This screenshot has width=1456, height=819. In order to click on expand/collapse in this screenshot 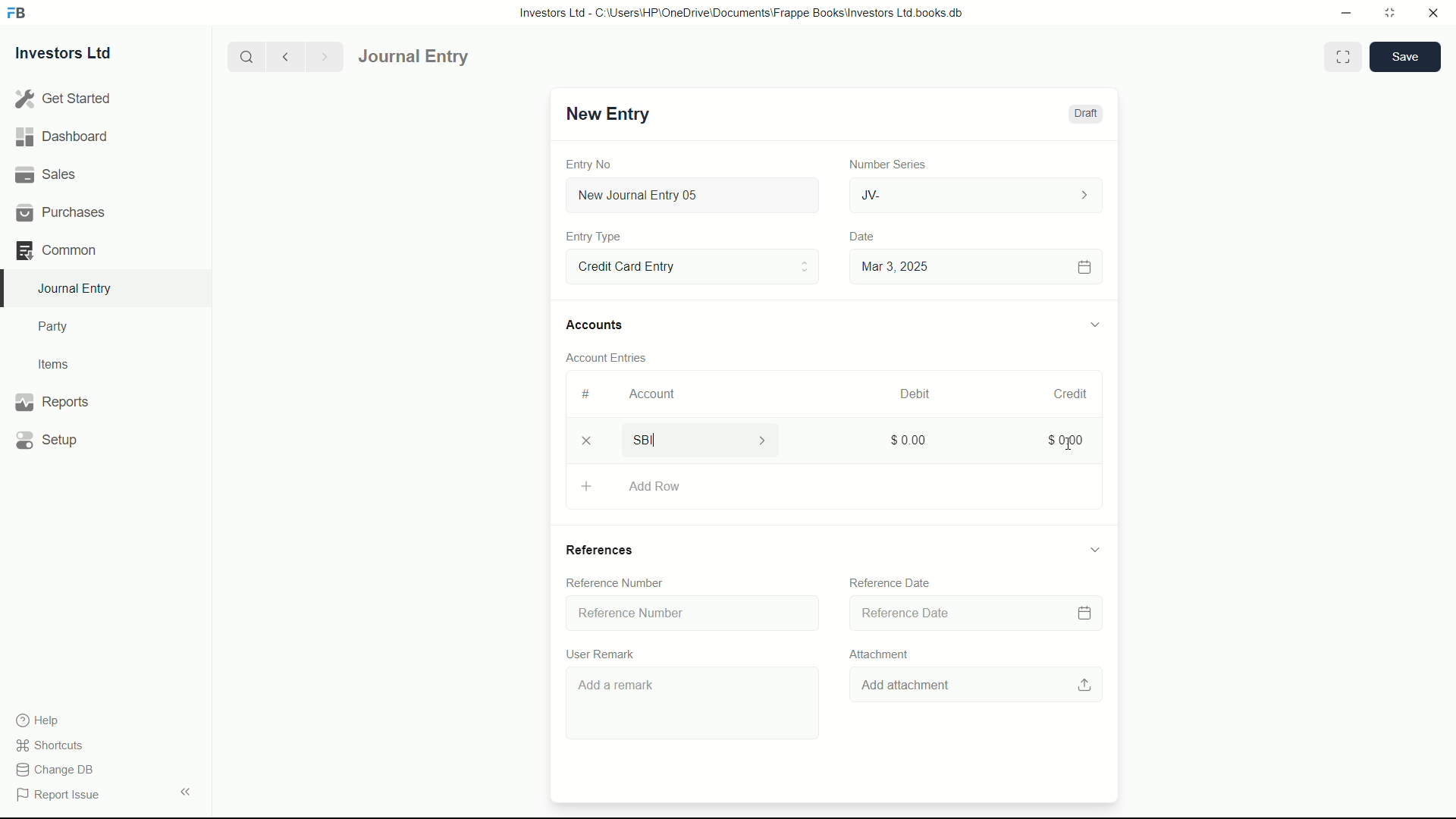, I will do `click(1094, 549)`.